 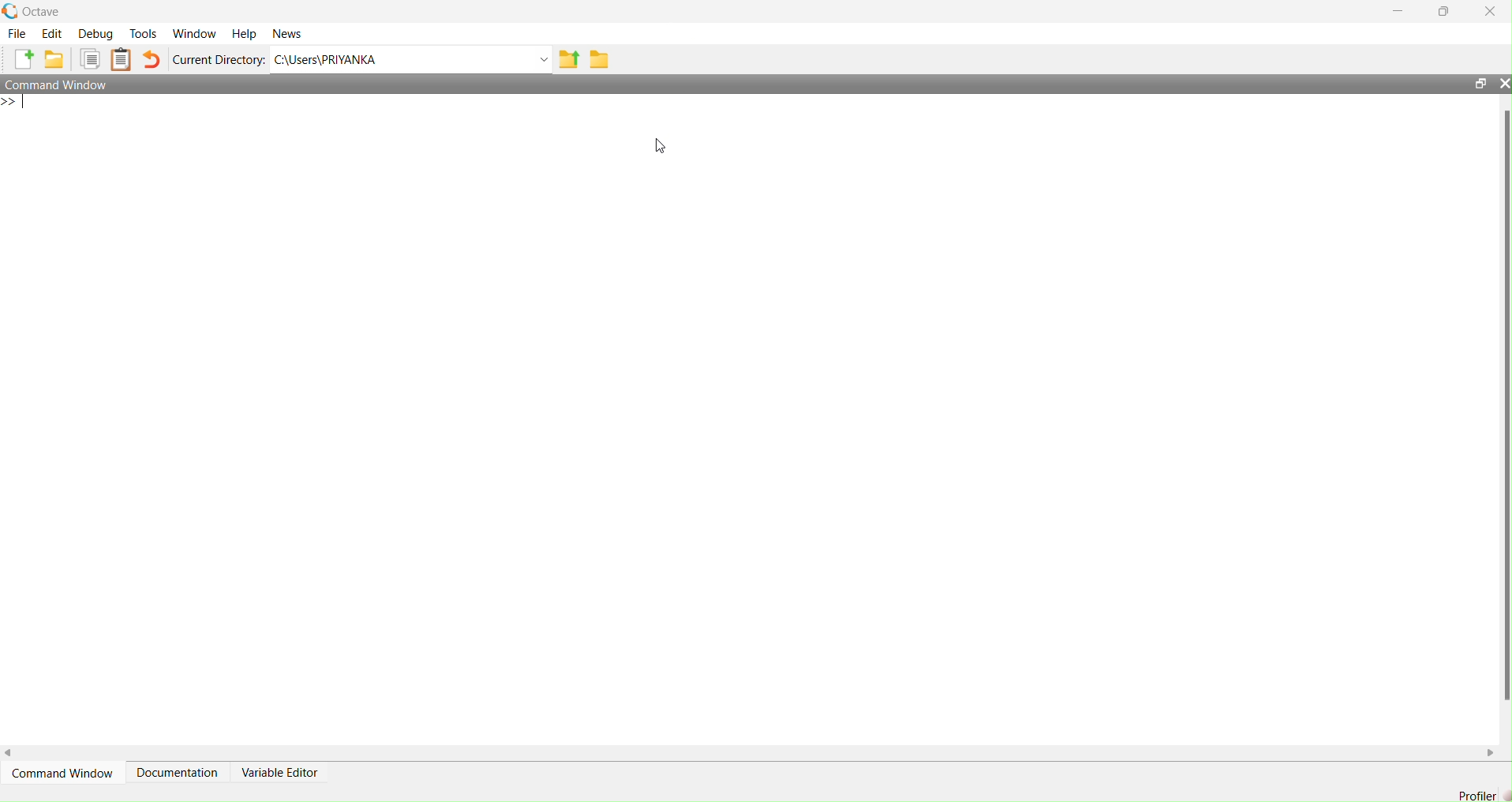 I want to click on minimise, so click(x=1394, y=12).